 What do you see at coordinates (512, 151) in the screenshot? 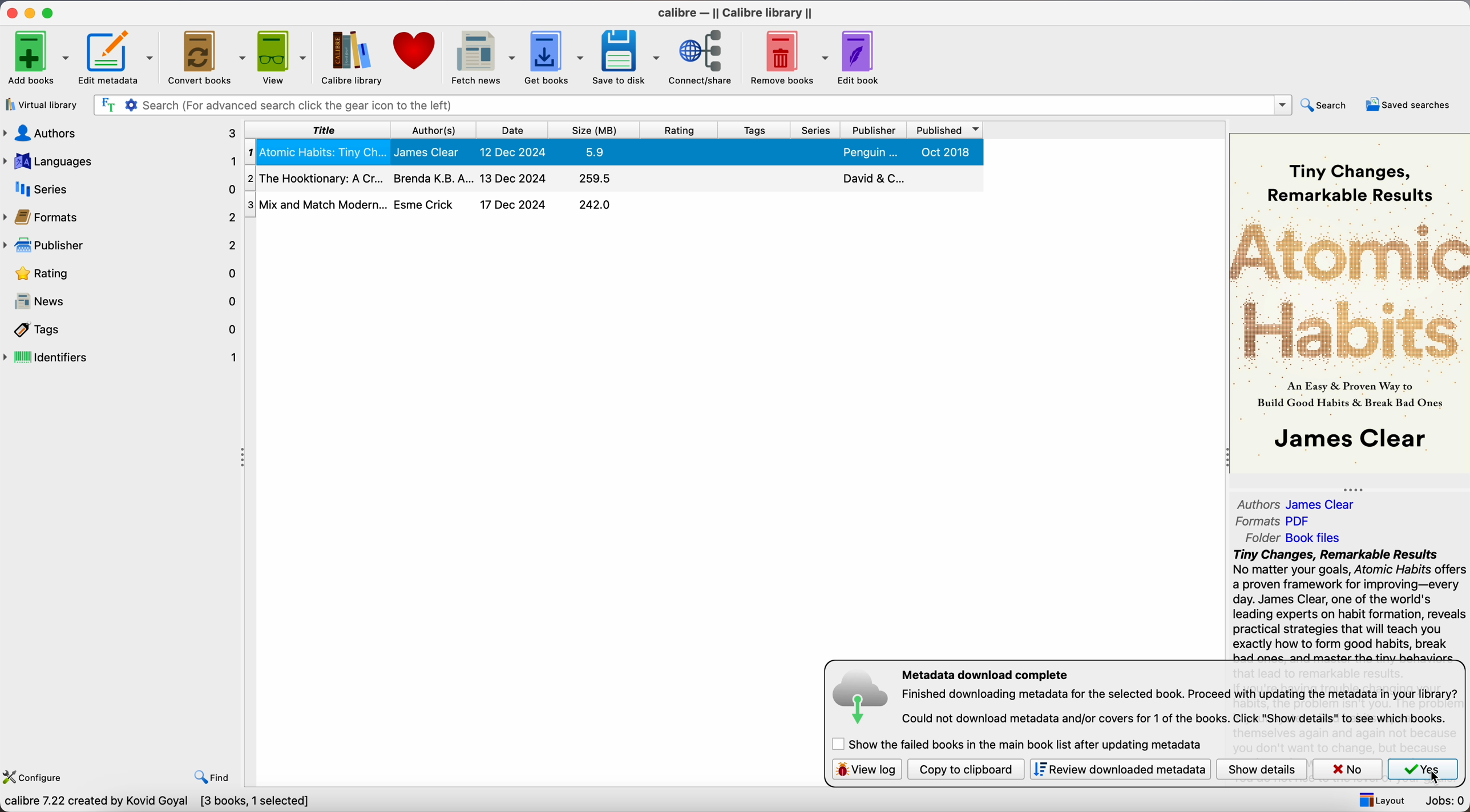
I see `12 Dec 2024` at bounding box center [512, 151].